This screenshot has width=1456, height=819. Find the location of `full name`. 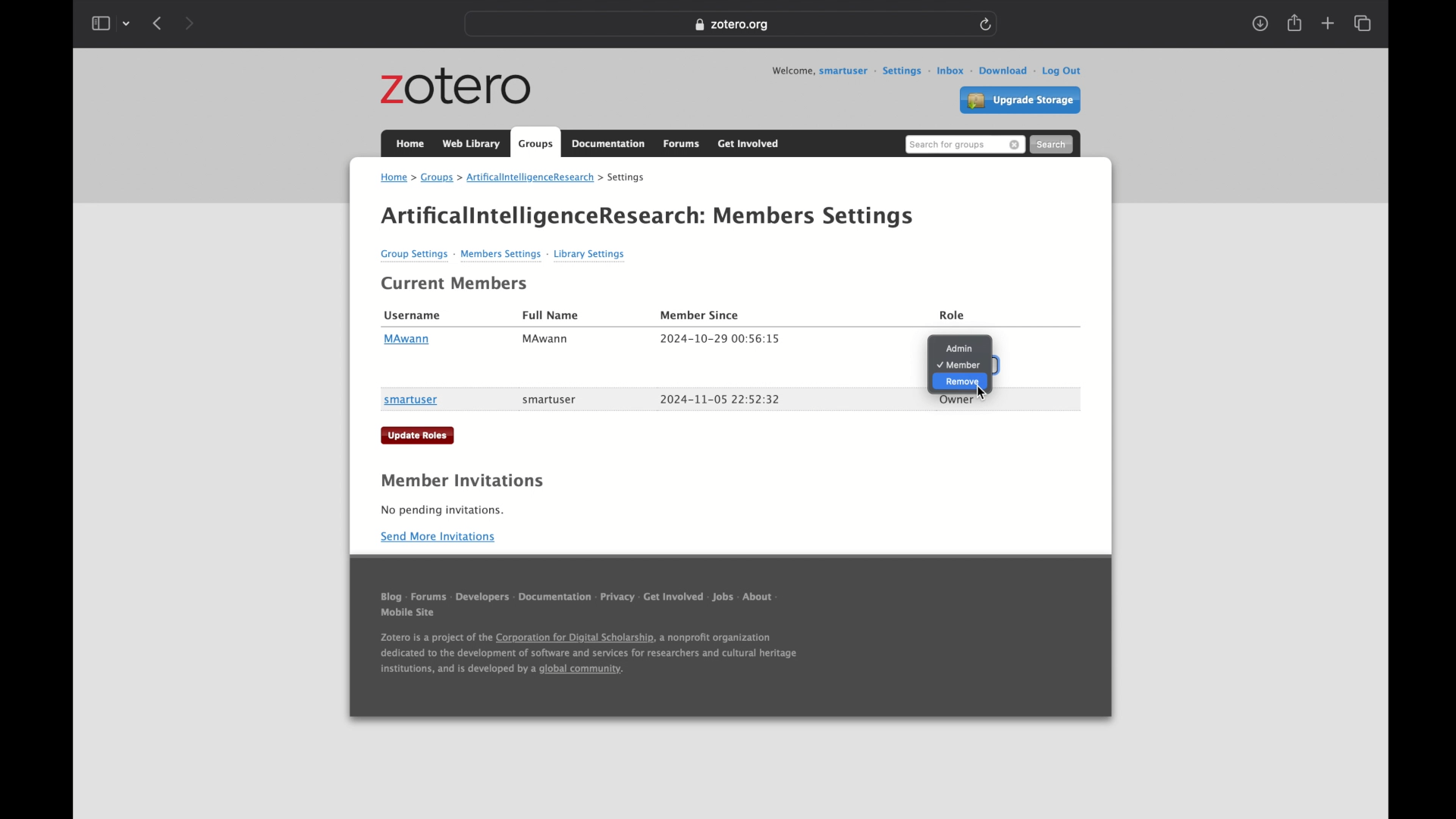

full name is located at coordinates (551, 315).